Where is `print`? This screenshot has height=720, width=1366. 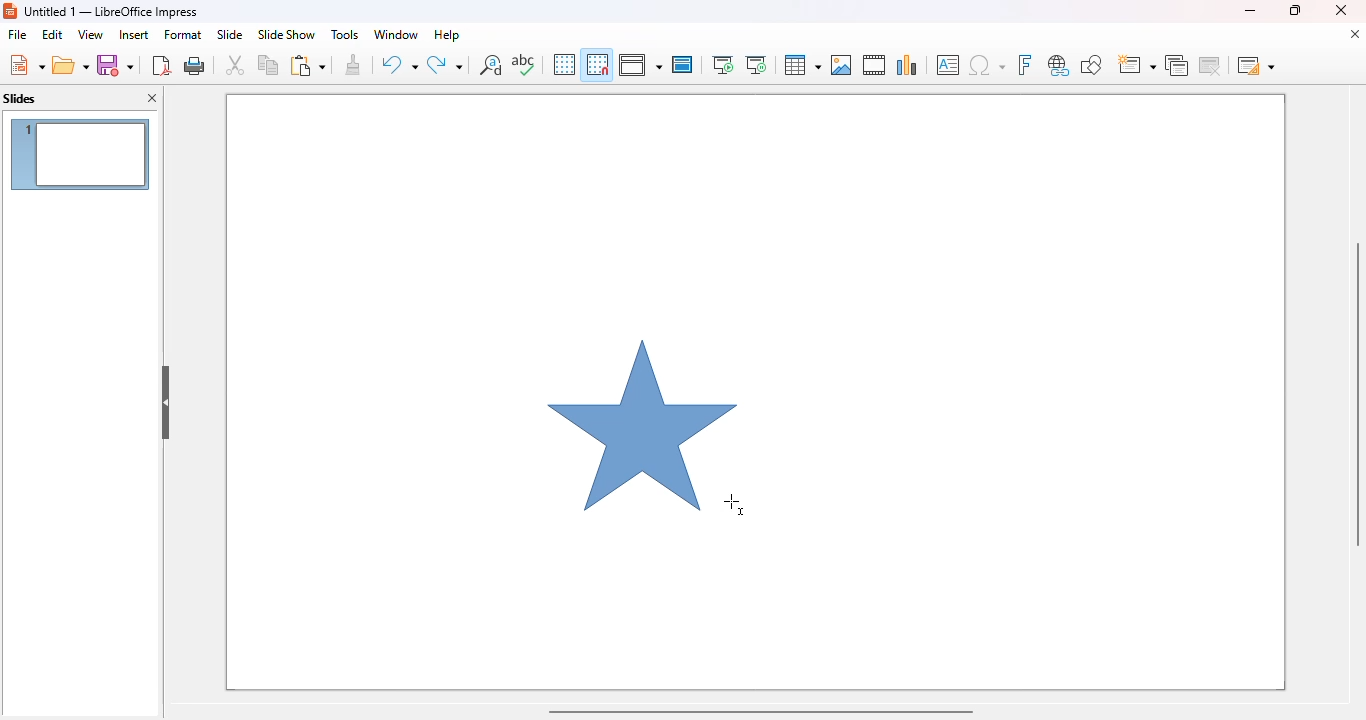 print is located at coordinates (196, 65).